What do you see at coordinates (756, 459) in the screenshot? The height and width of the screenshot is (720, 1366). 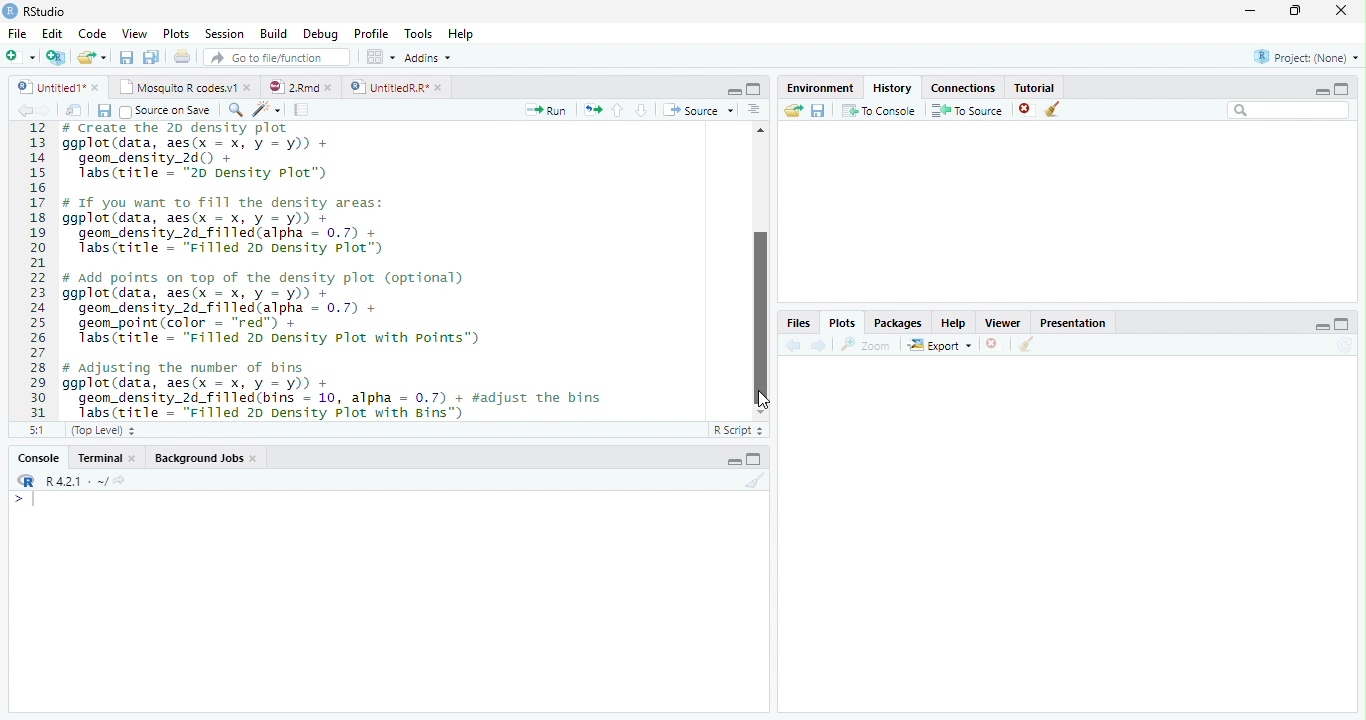 I see `maximize` at bounding box center [756, 459].